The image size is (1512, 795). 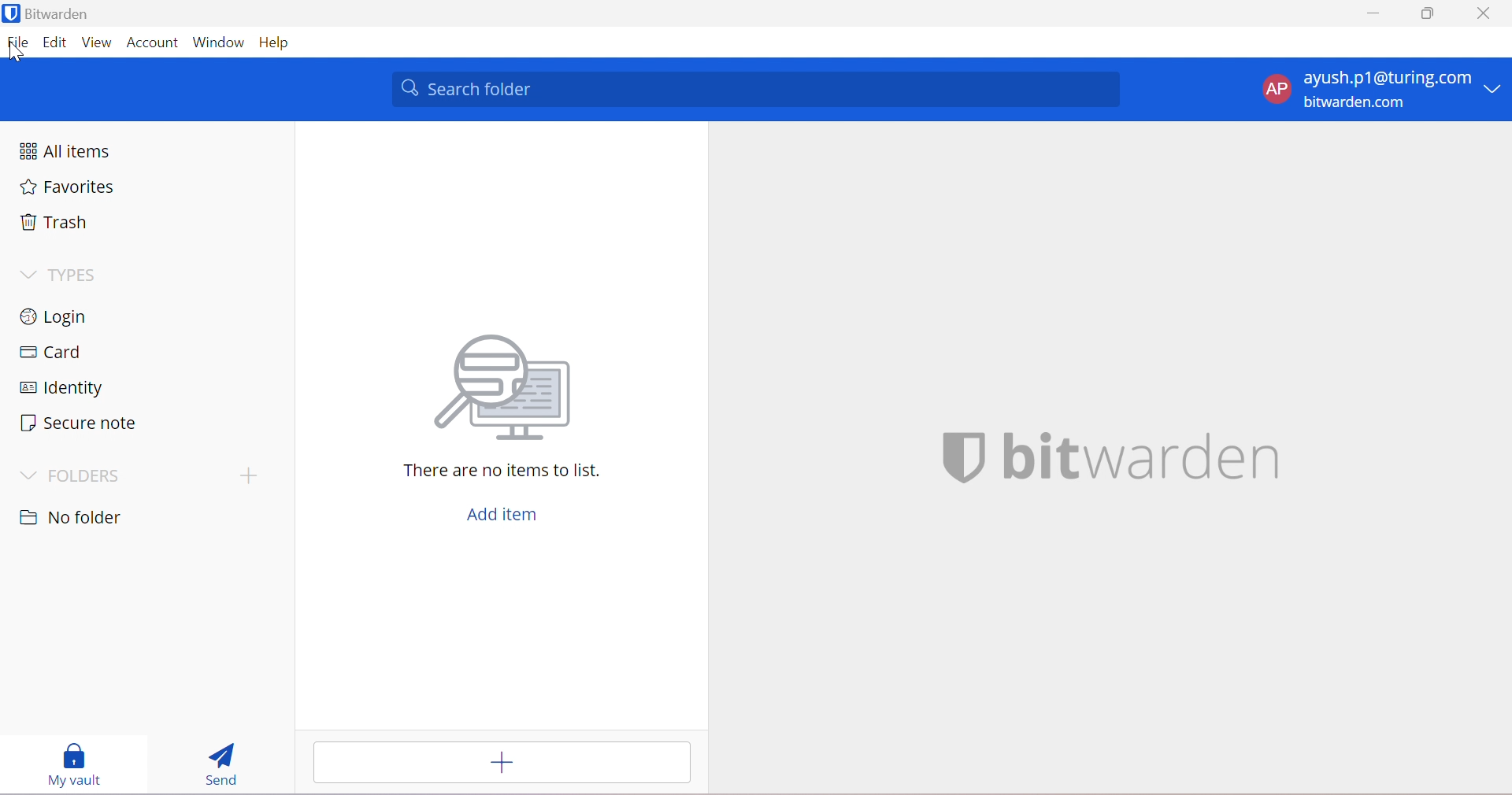 What do you see at coordinates (54, 221) in the screenshot?
I see `Trash` at bounding box center [54, 221].